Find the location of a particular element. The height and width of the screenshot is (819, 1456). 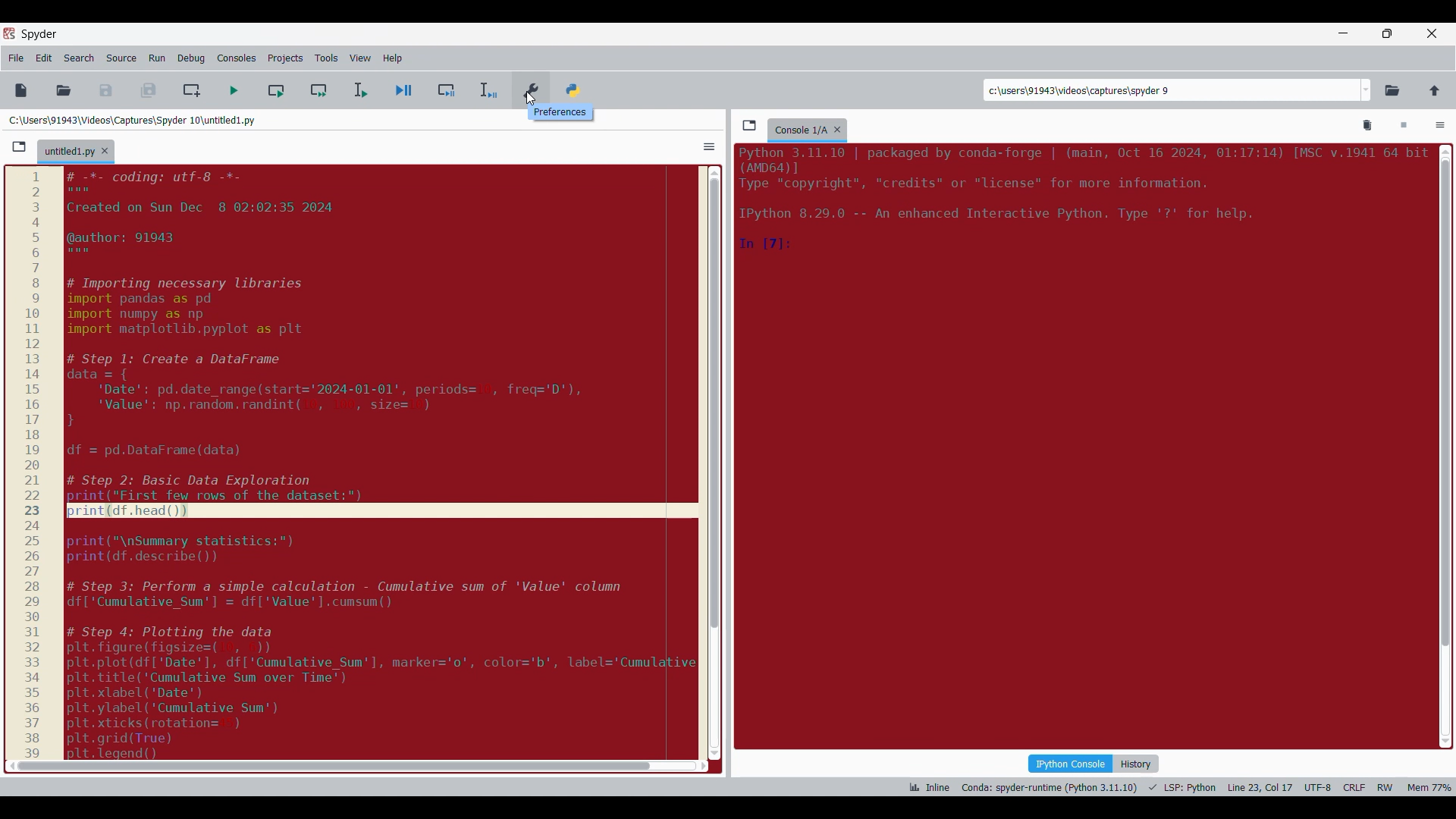

Close tab is located at coordinates (1432, 33).